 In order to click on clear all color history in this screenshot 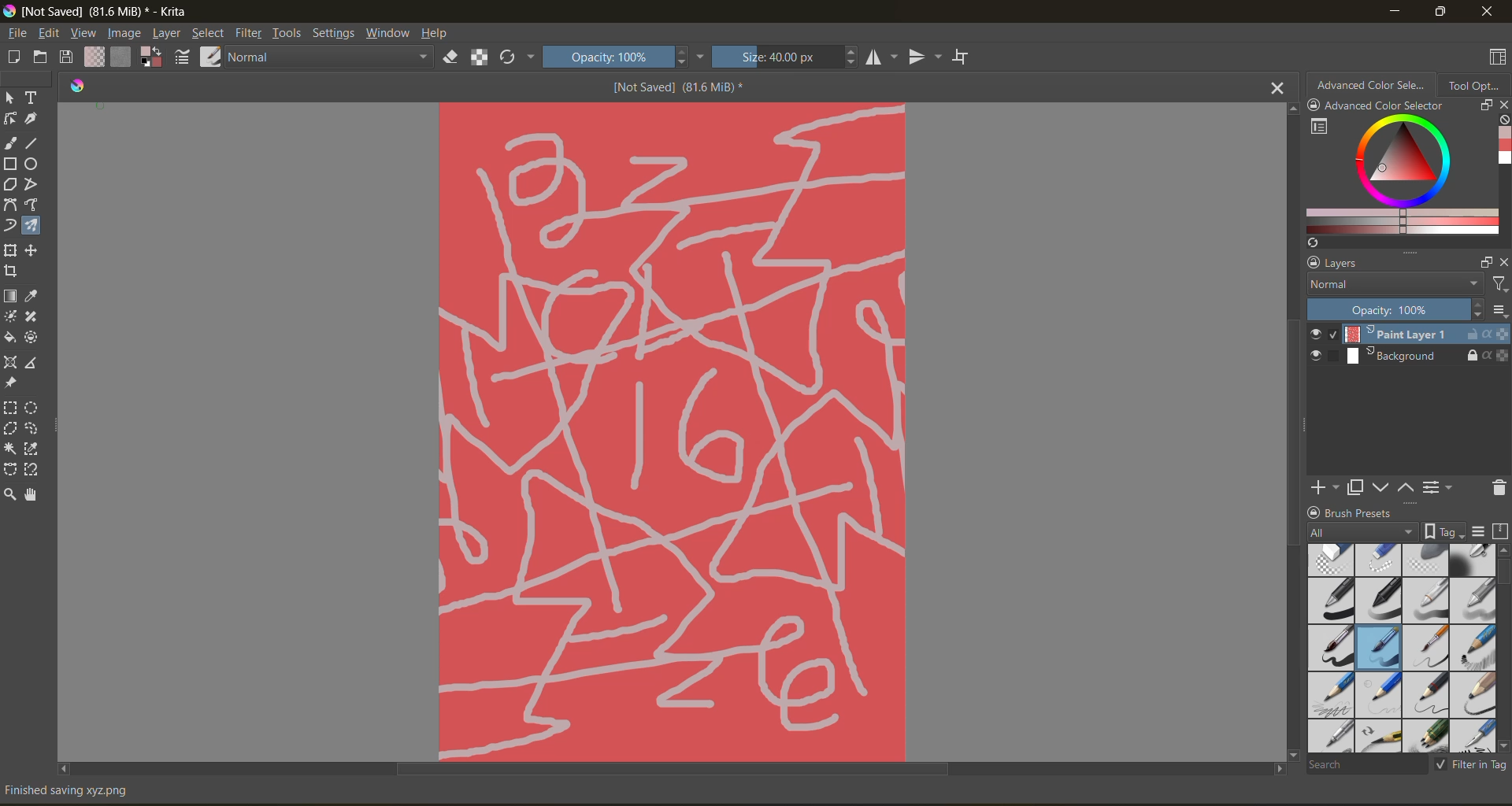, I will do `click(1503, 121)`.